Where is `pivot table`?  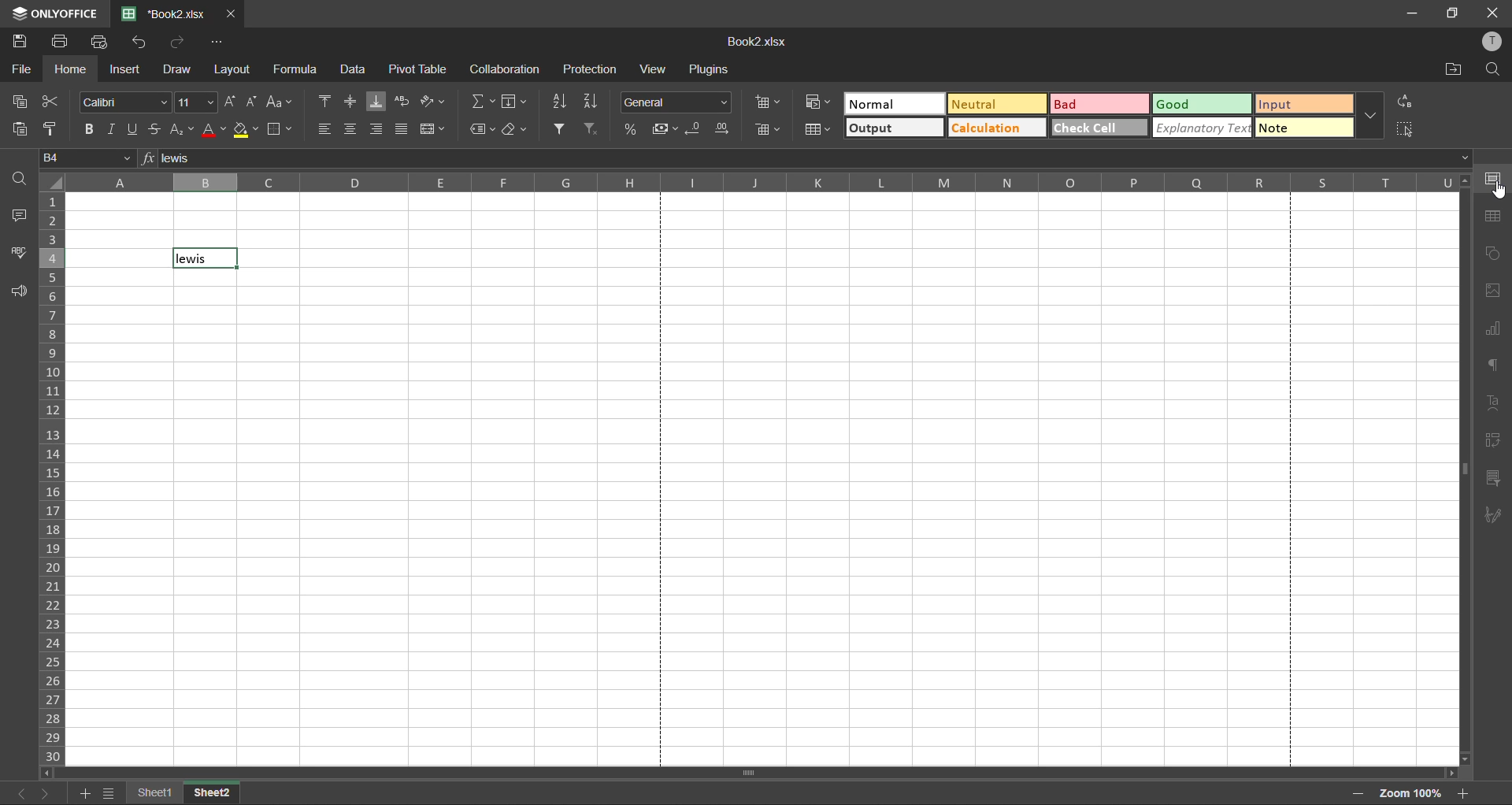
pivot table is located at coordinates (1497, 443).